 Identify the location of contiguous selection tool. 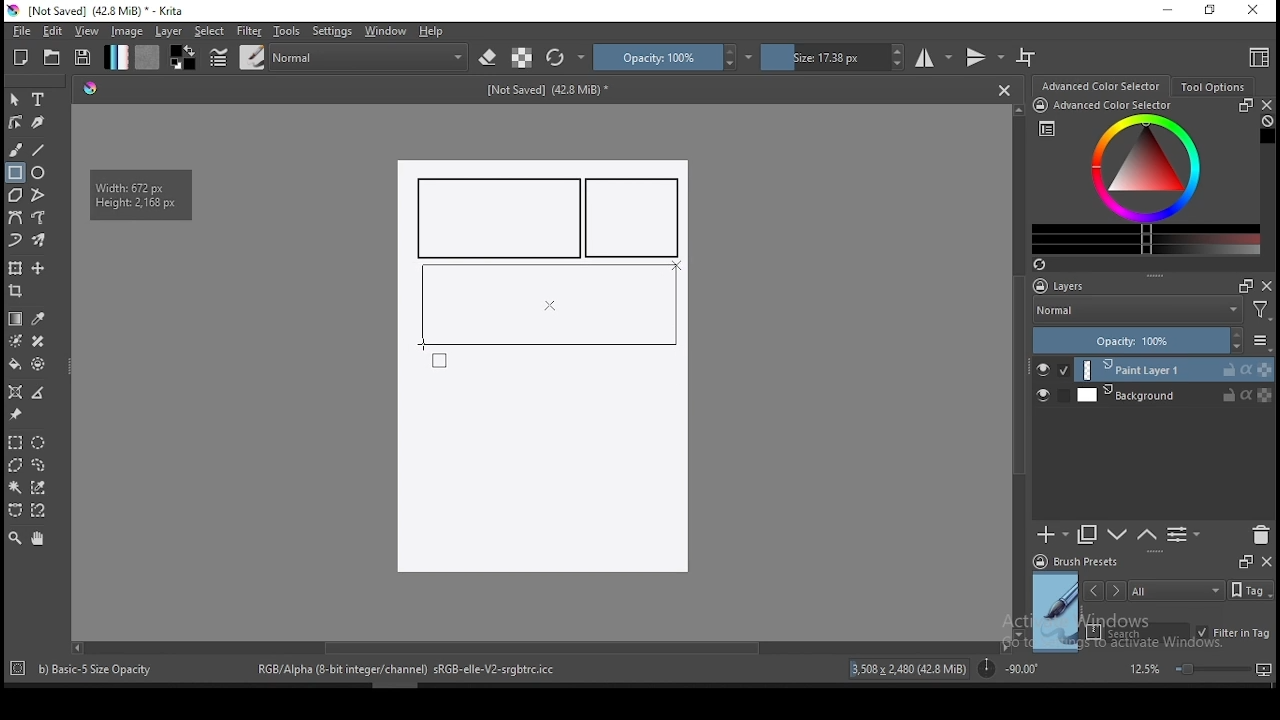
(16, 489).